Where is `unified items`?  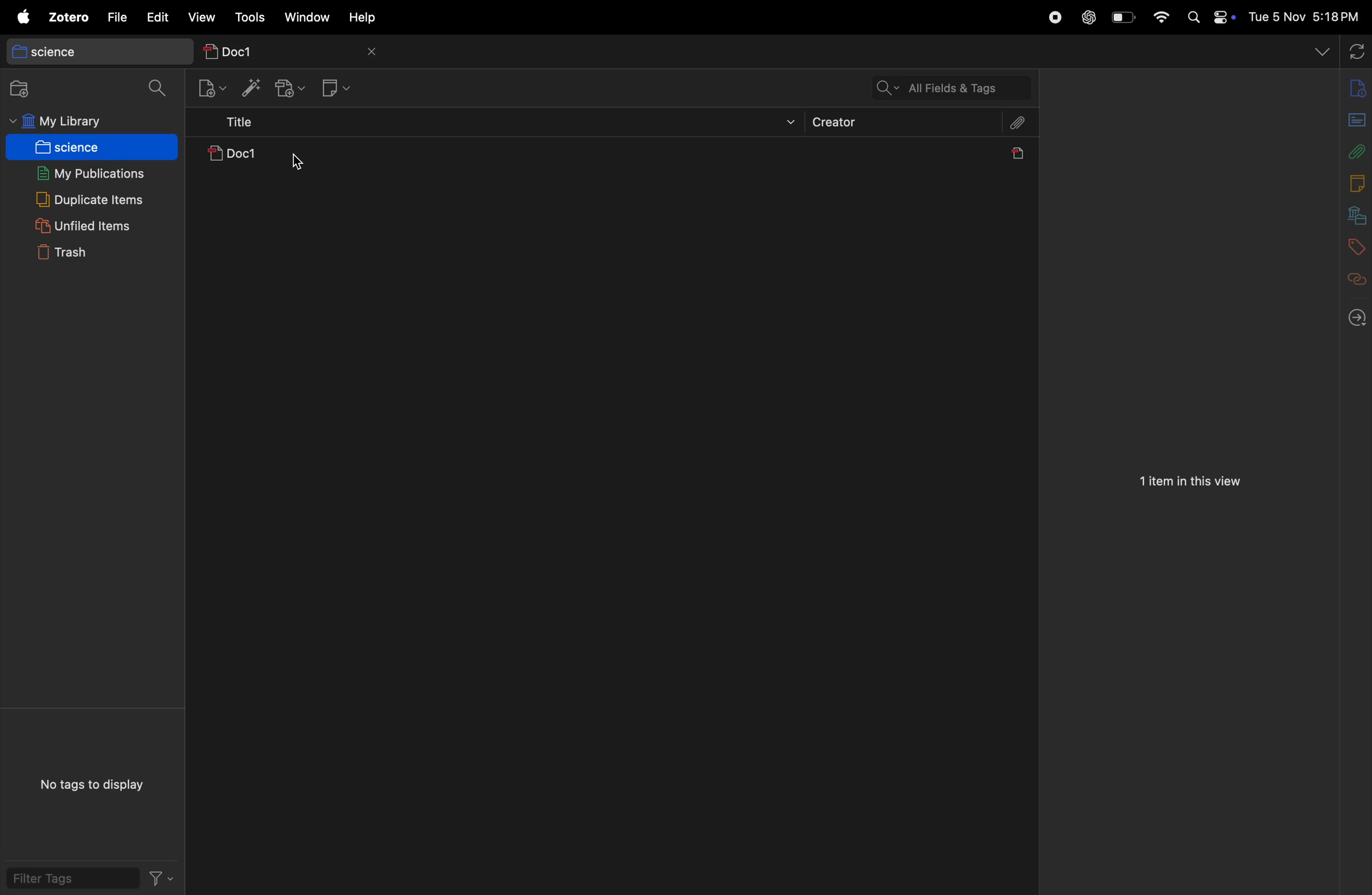 unified items is located at coordinates (86, 224).